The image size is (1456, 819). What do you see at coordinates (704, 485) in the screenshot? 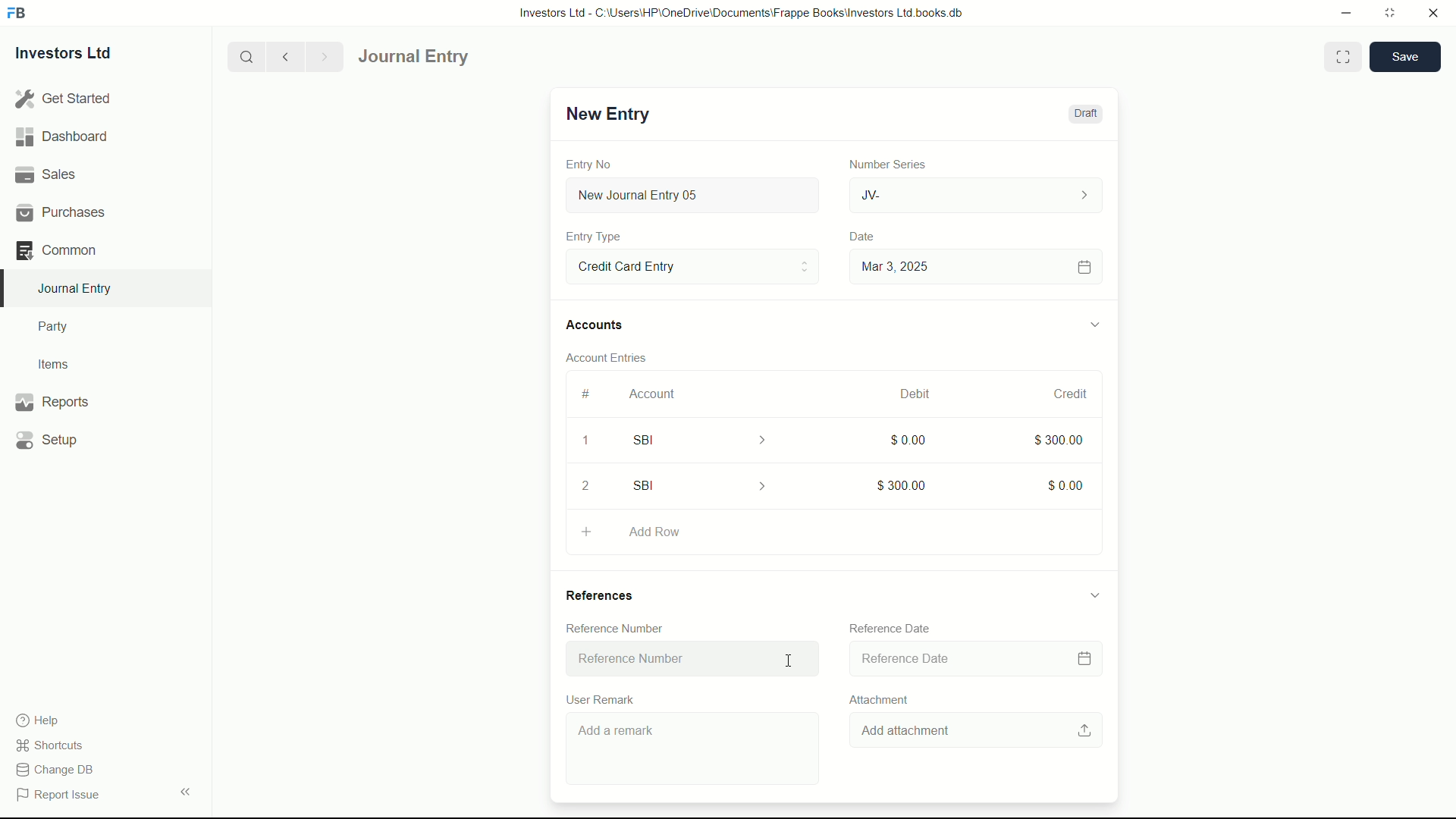
I see `SBI` at bounding box center [704, 485].